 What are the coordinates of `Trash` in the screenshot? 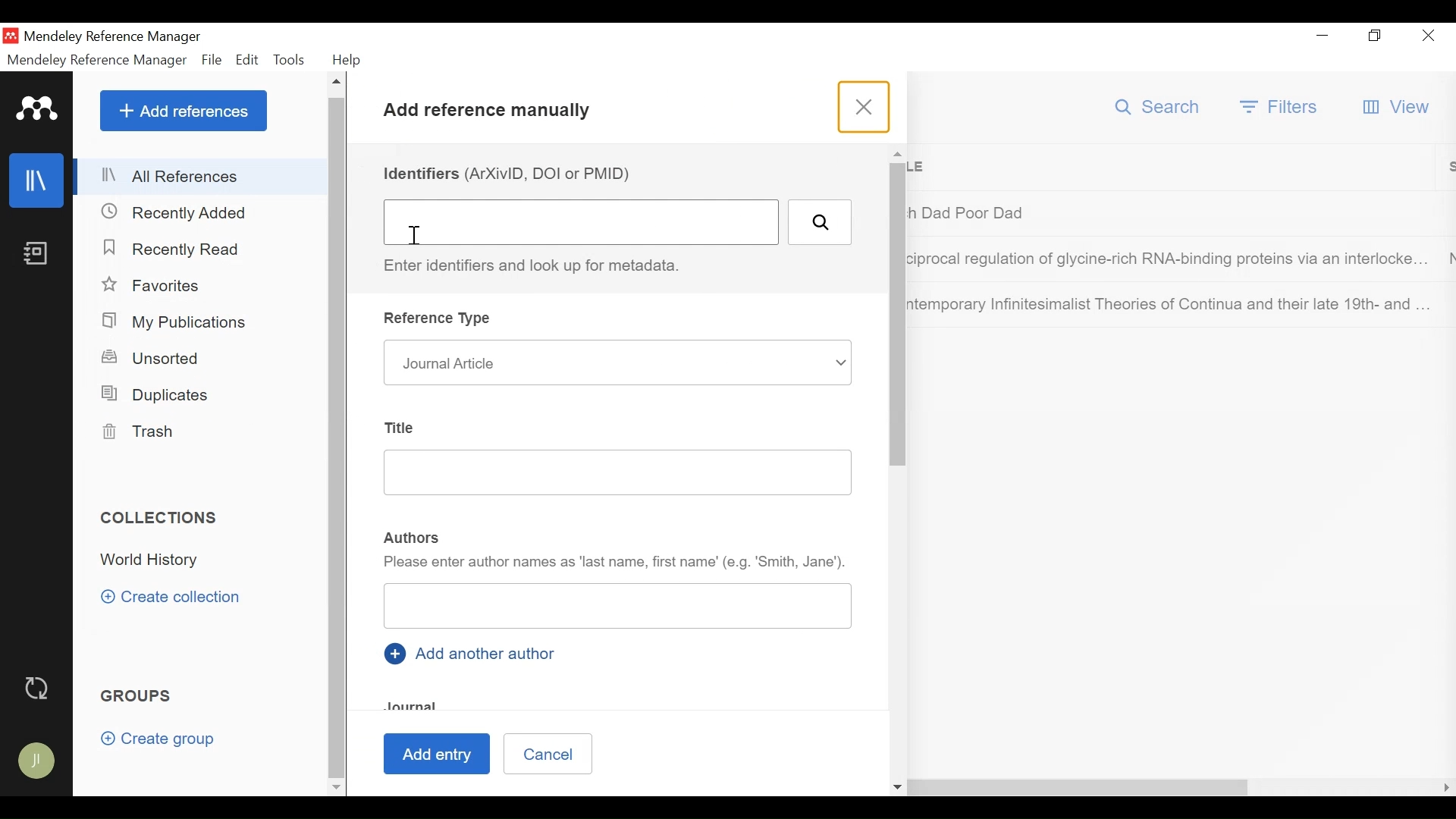 It's located at (144, 431).